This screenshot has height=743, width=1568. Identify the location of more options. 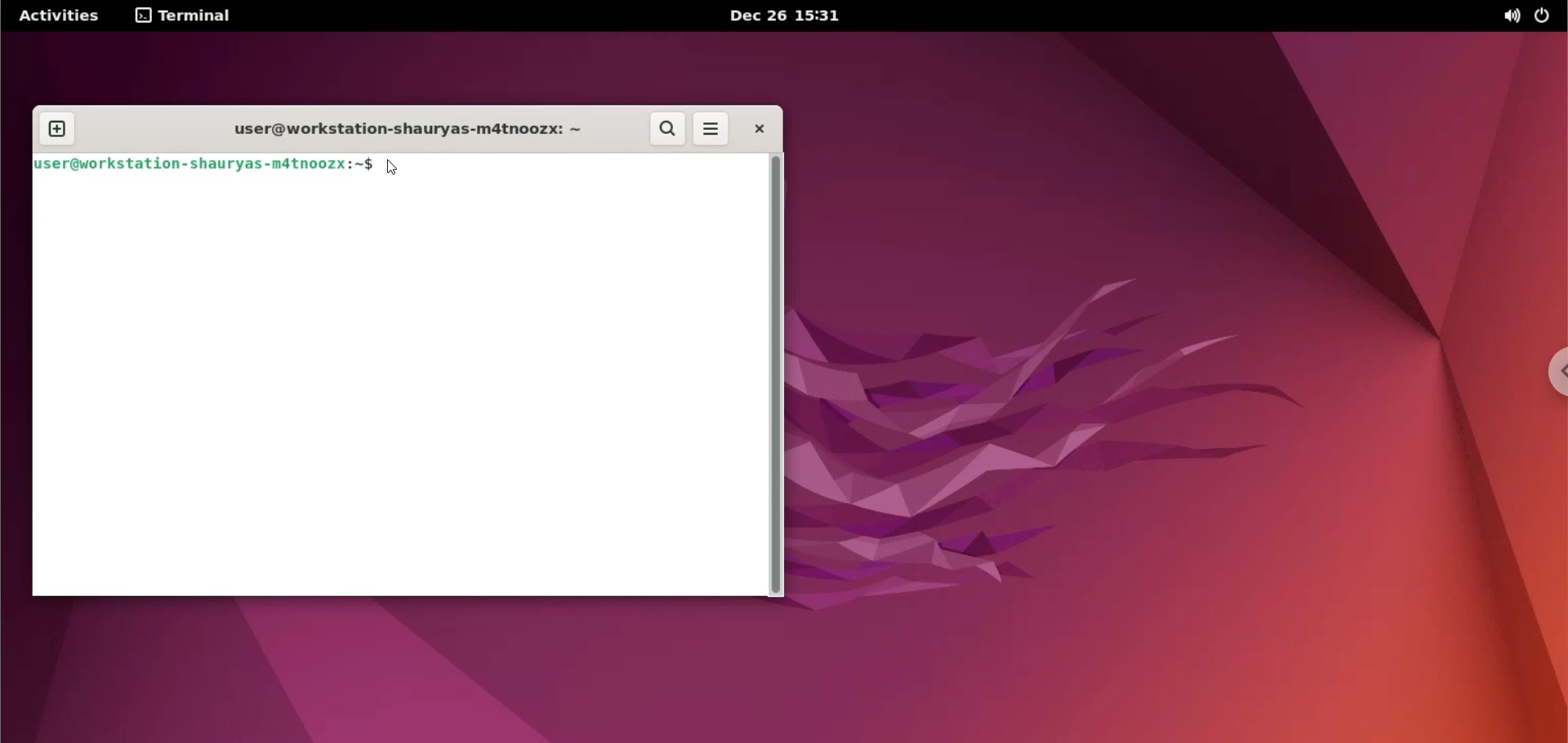
(712, 130).